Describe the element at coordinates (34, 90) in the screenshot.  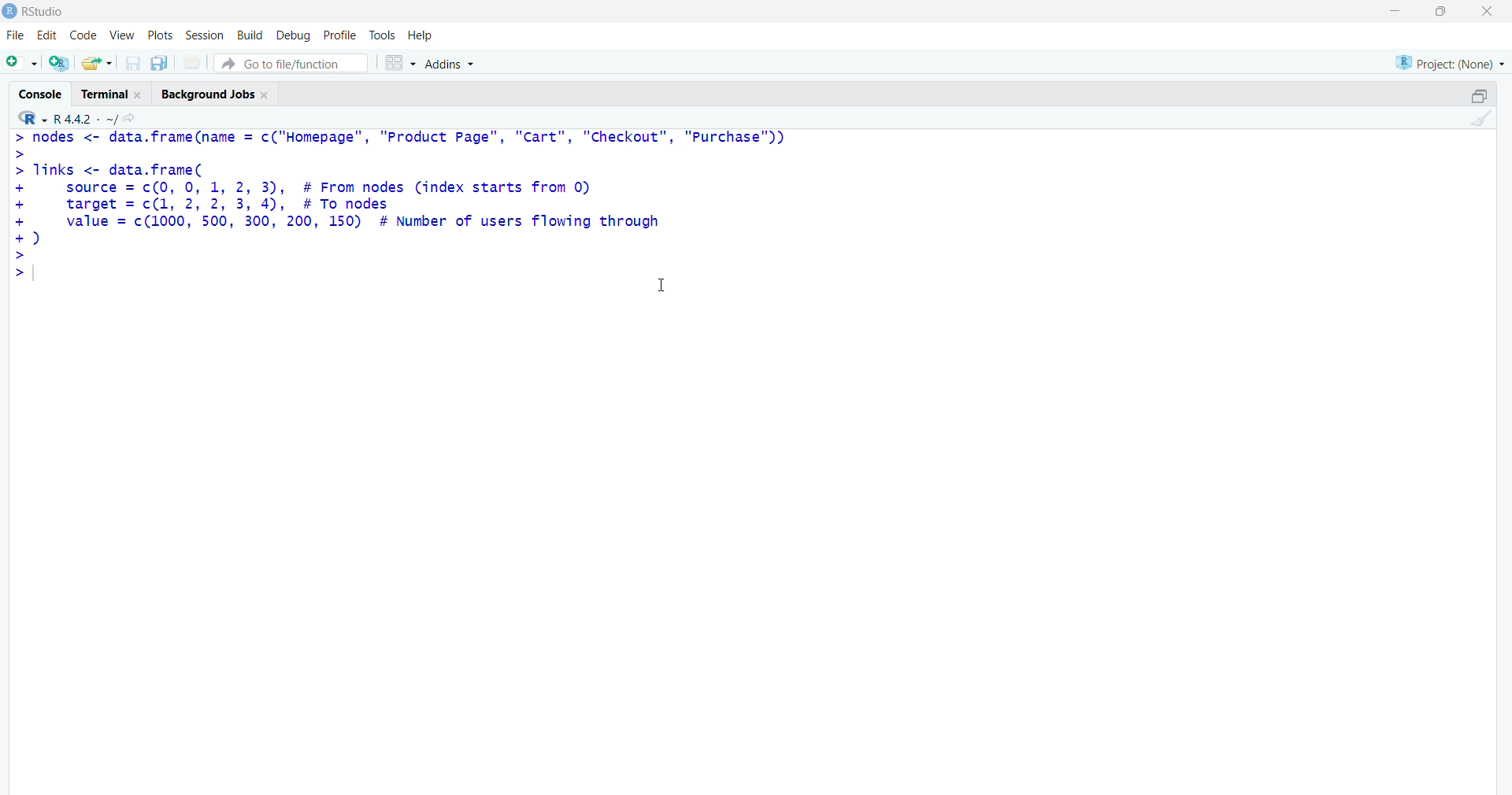
I see `console` at that location.